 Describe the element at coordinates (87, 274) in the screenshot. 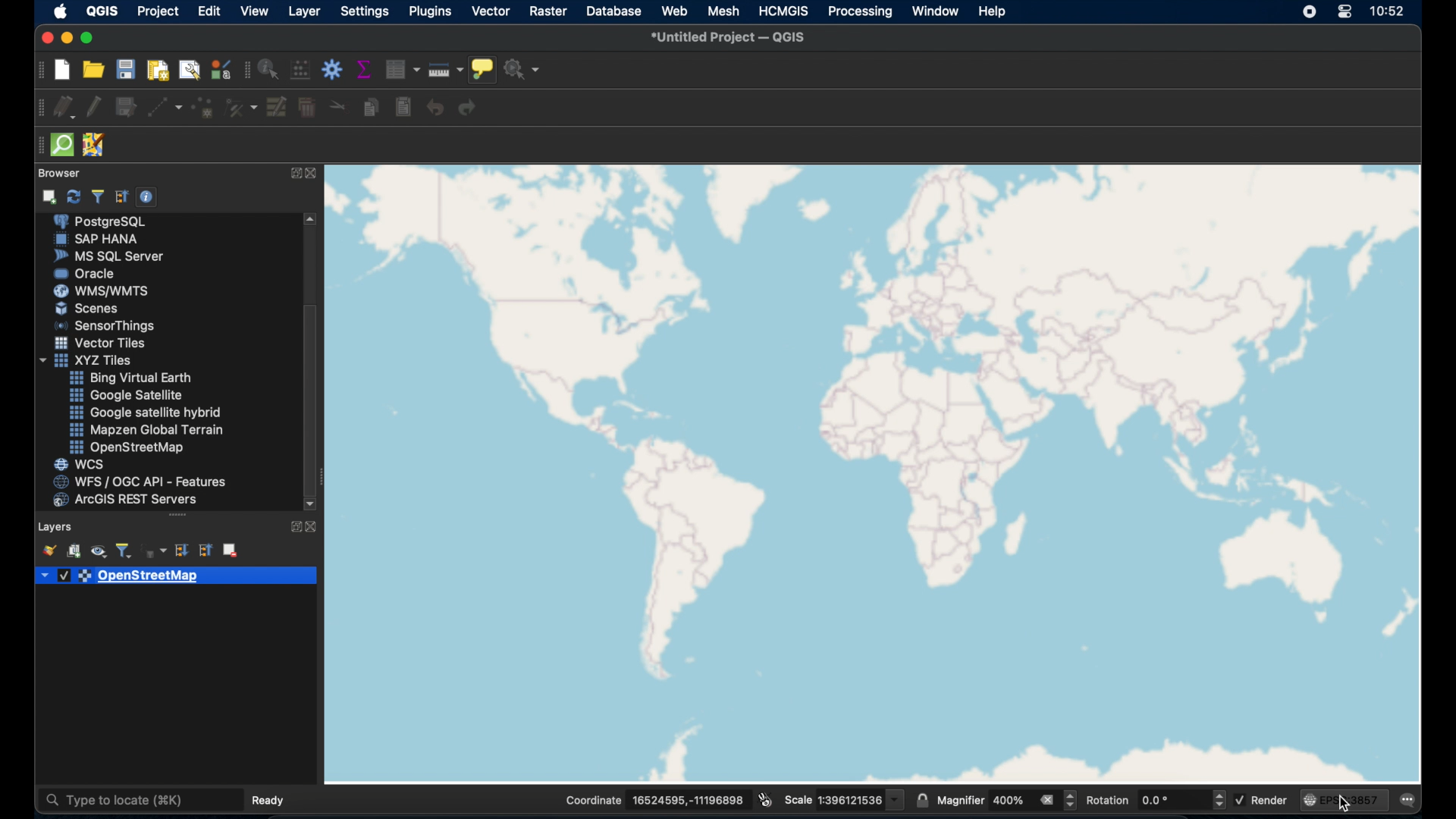

I see `oracle` at that location.